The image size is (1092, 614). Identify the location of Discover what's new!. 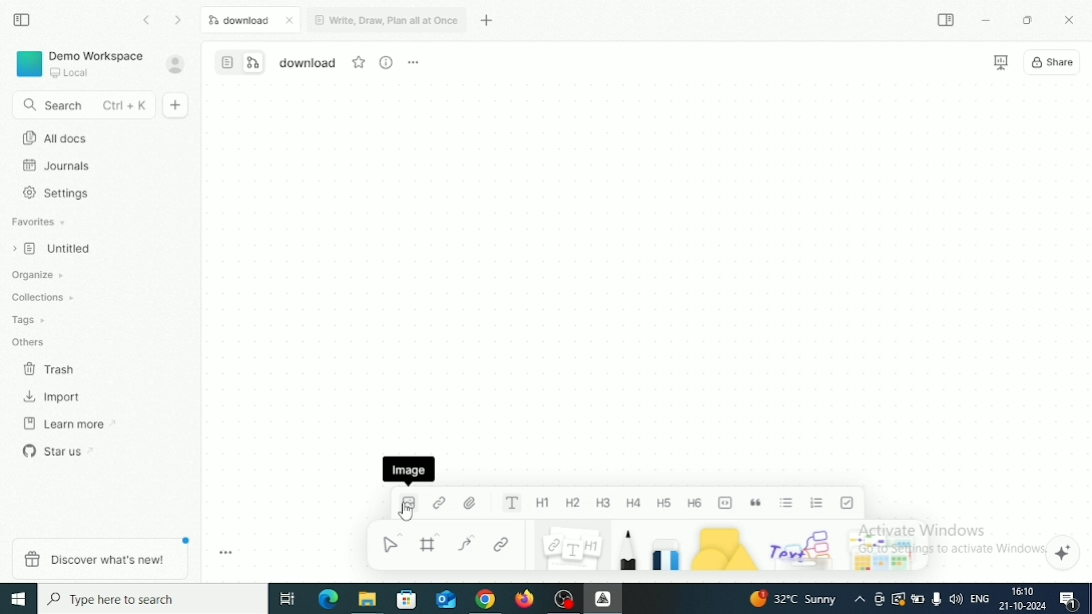
(102, 558).